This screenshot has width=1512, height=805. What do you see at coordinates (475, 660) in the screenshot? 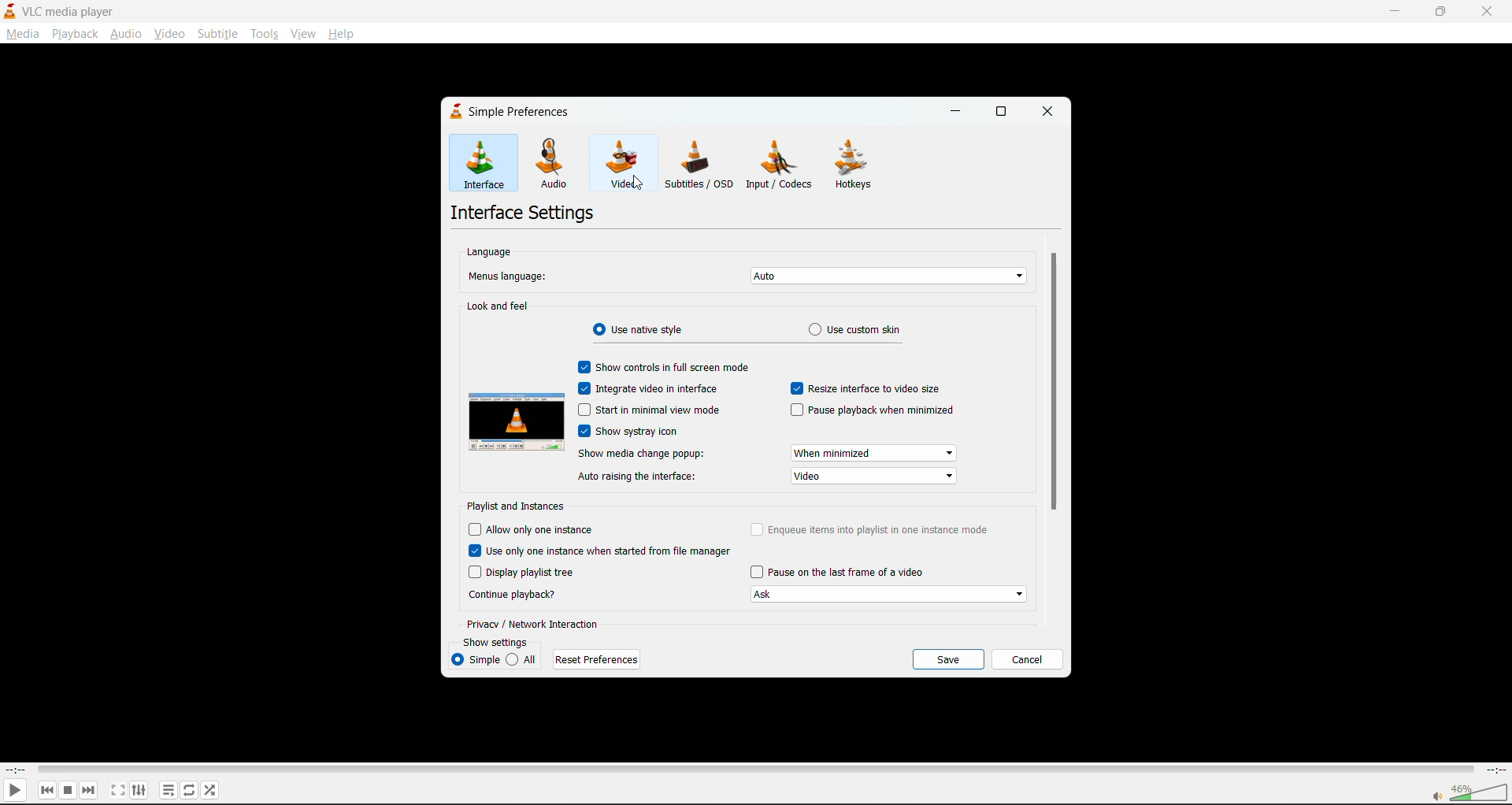
I see `simple` at bounding box center [475, 660].